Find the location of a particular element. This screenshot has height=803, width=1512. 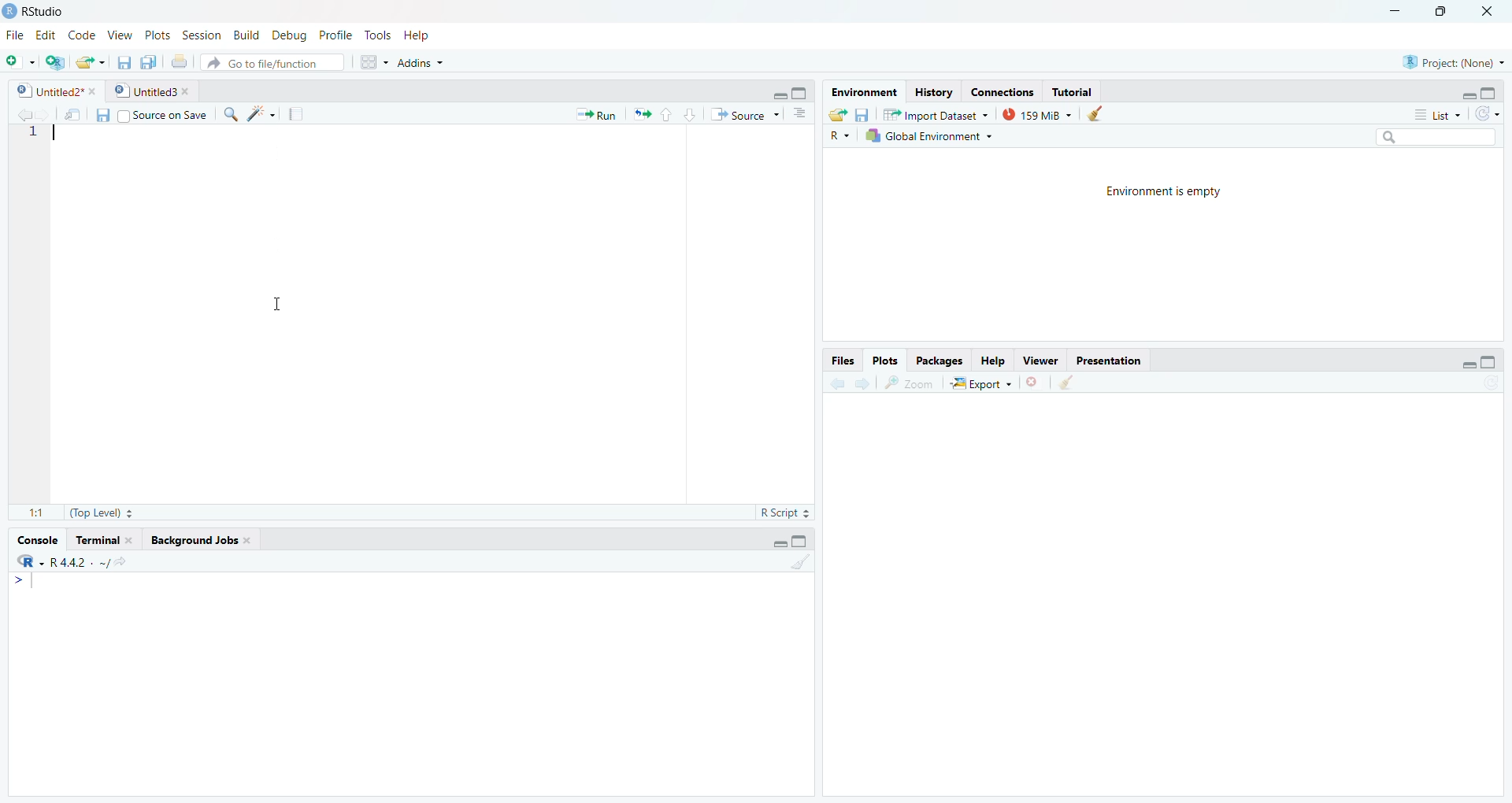

Code Tools is located at coordinates (261, 113).